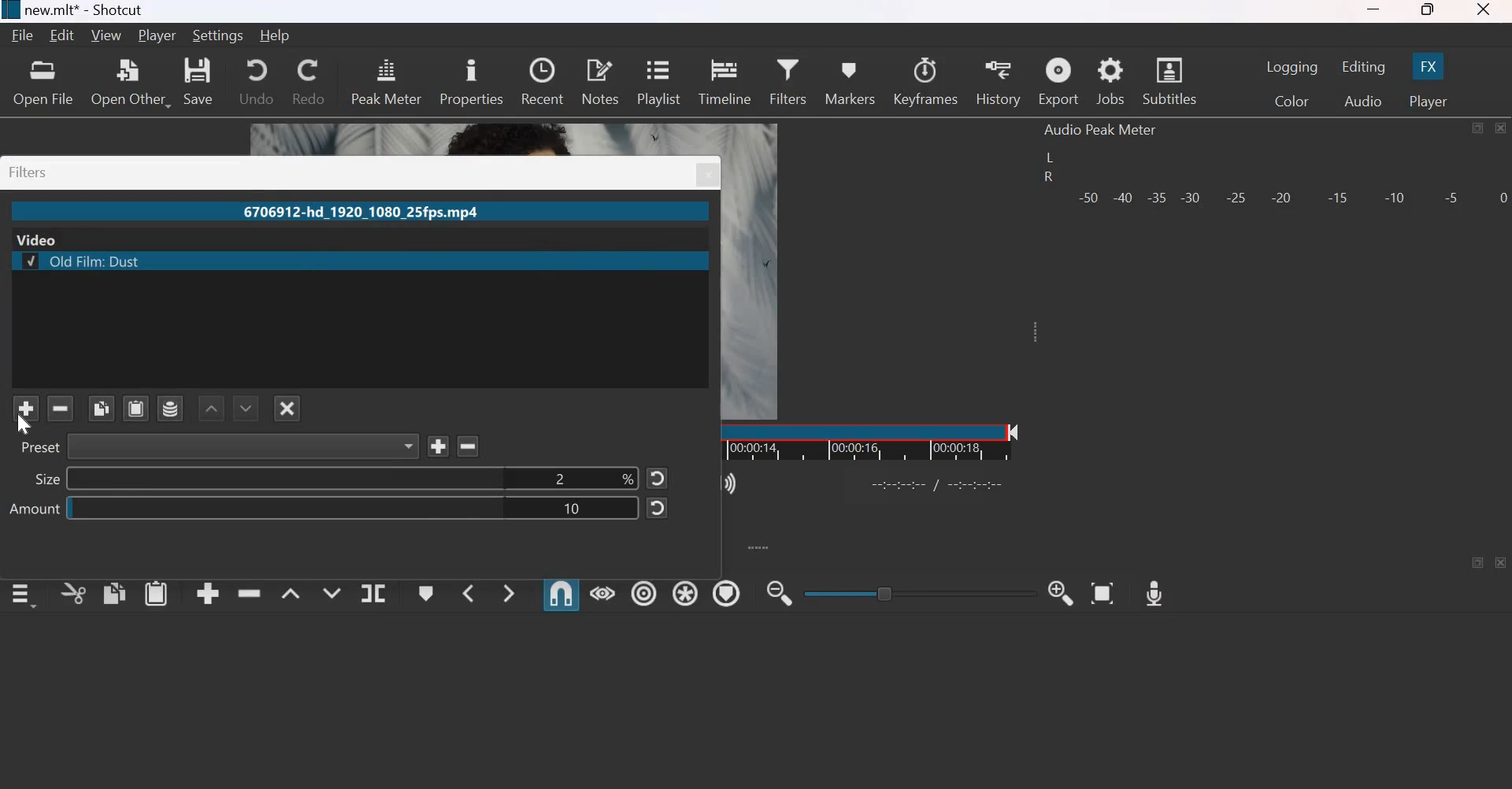 The width and height of the screenshot is (1512, 789). Describe the element at coordinates (1110, 82) in the screenshot. I see `Jobs` at that location.